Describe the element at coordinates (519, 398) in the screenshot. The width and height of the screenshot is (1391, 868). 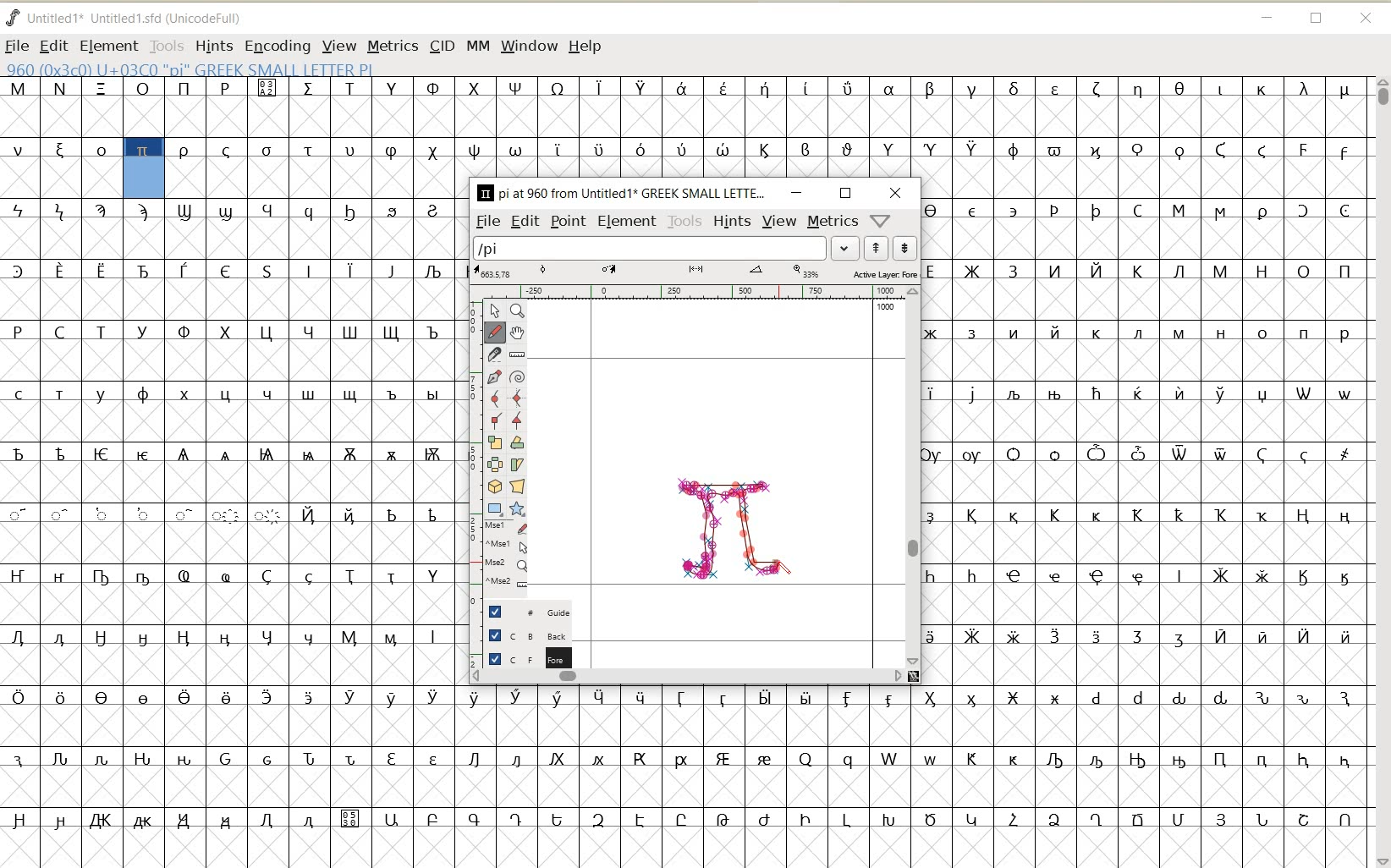
I see `add a curve point always either horizontal or vertical` at that location.